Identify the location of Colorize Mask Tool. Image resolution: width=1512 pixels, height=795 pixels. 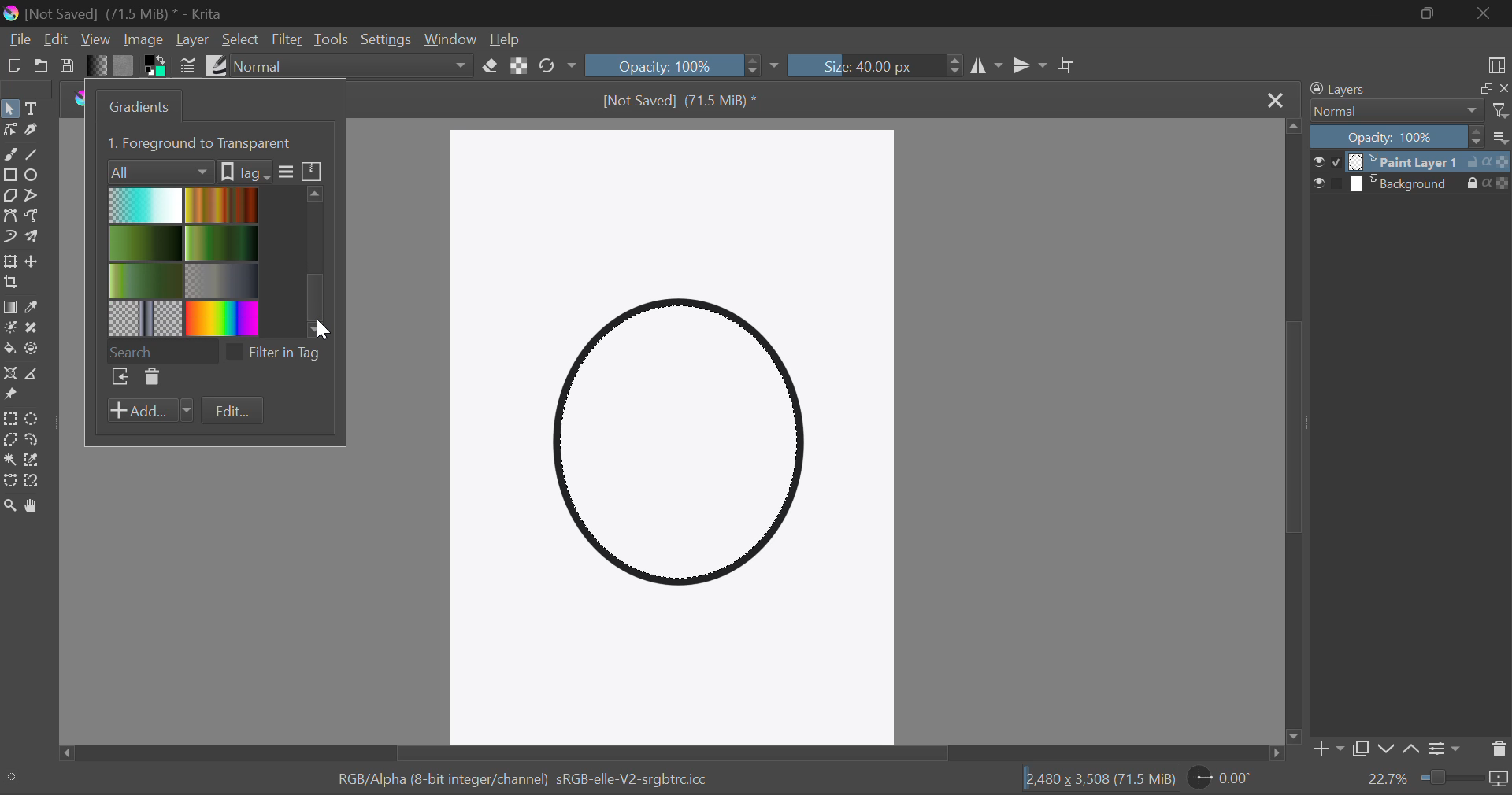
(10, 331).